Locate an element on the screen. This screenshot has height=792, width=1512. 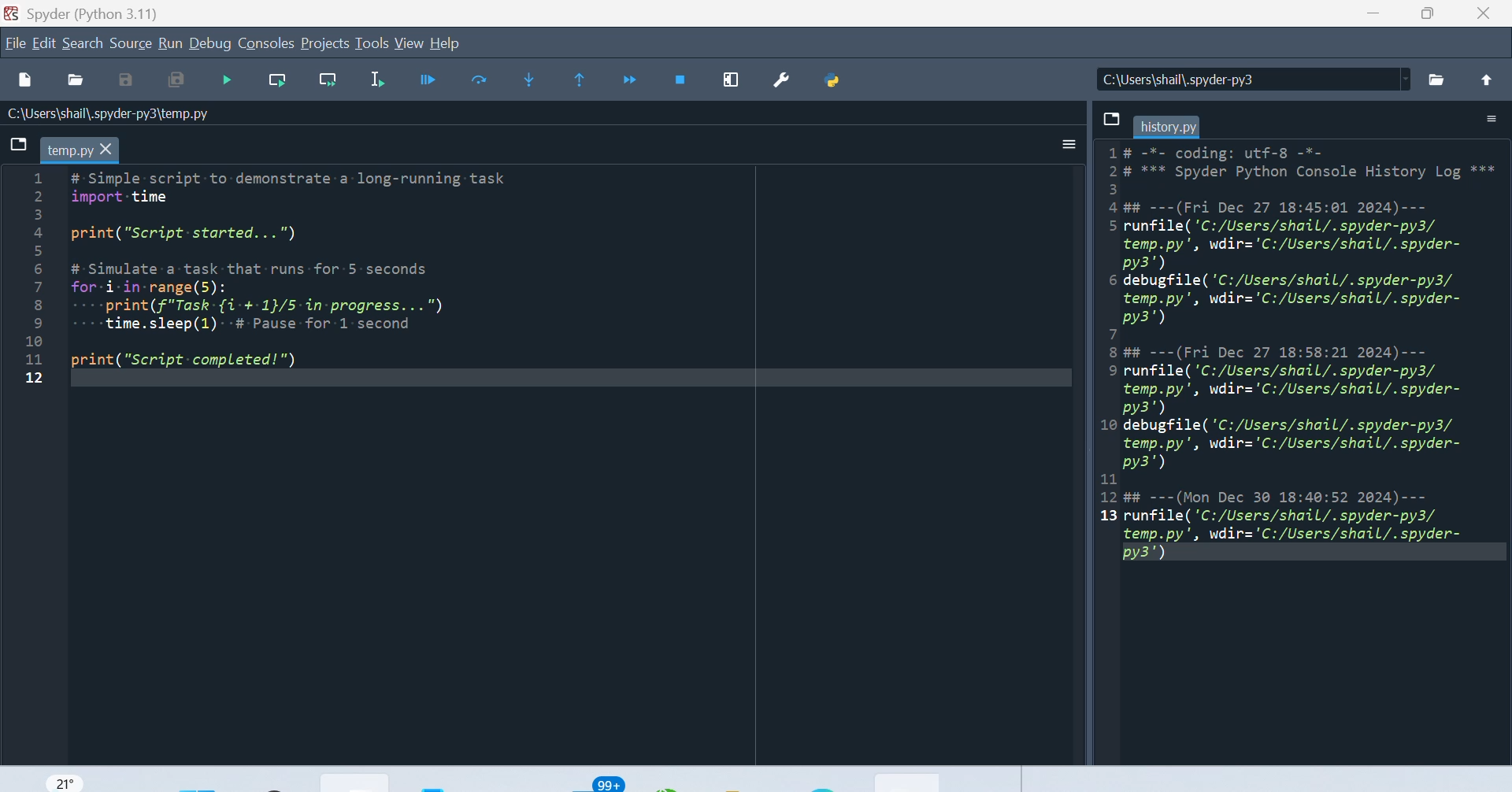
New files is located at coordinates (24, 81).